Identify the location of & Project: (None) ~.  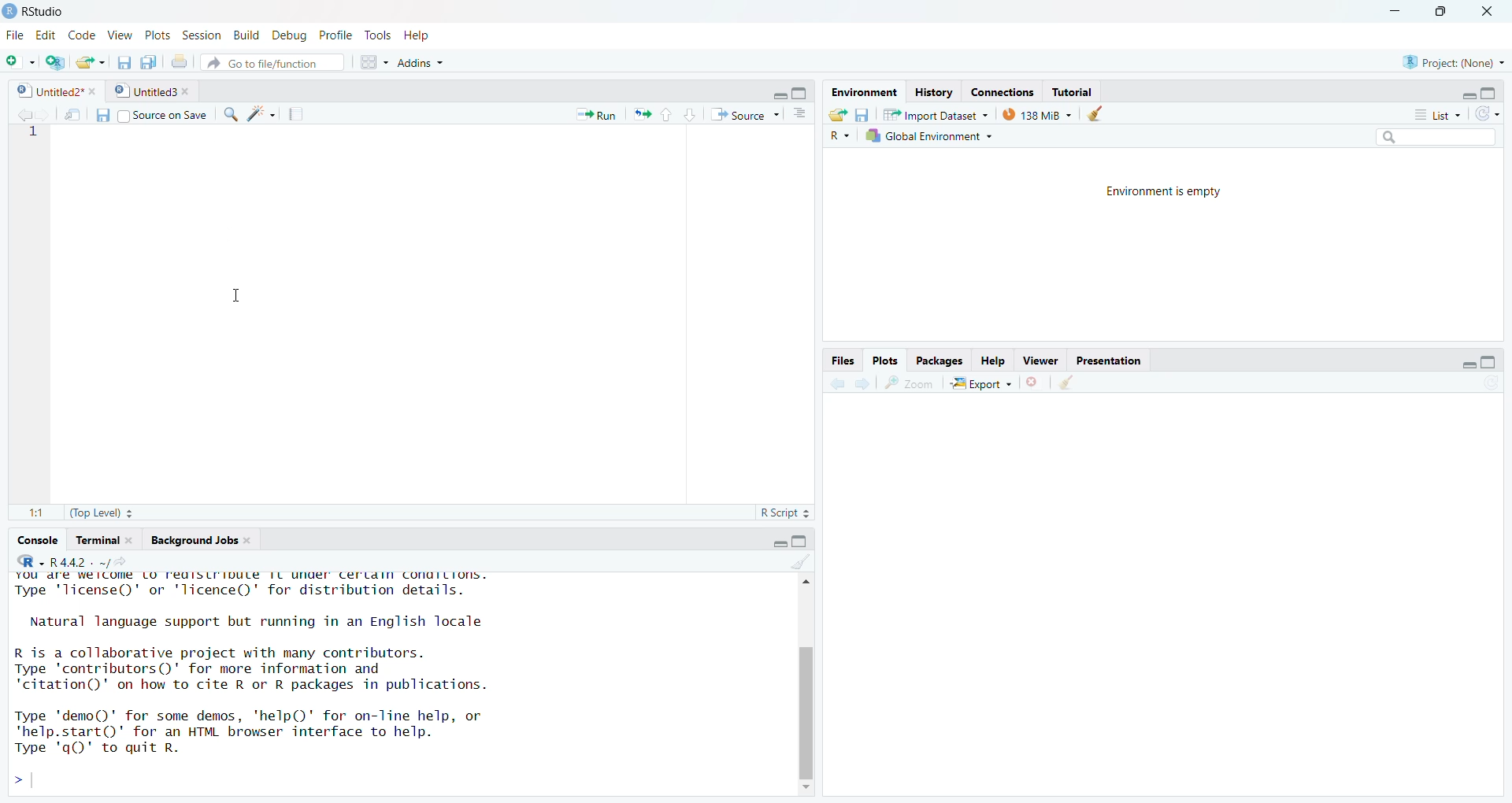
(1451, 58).